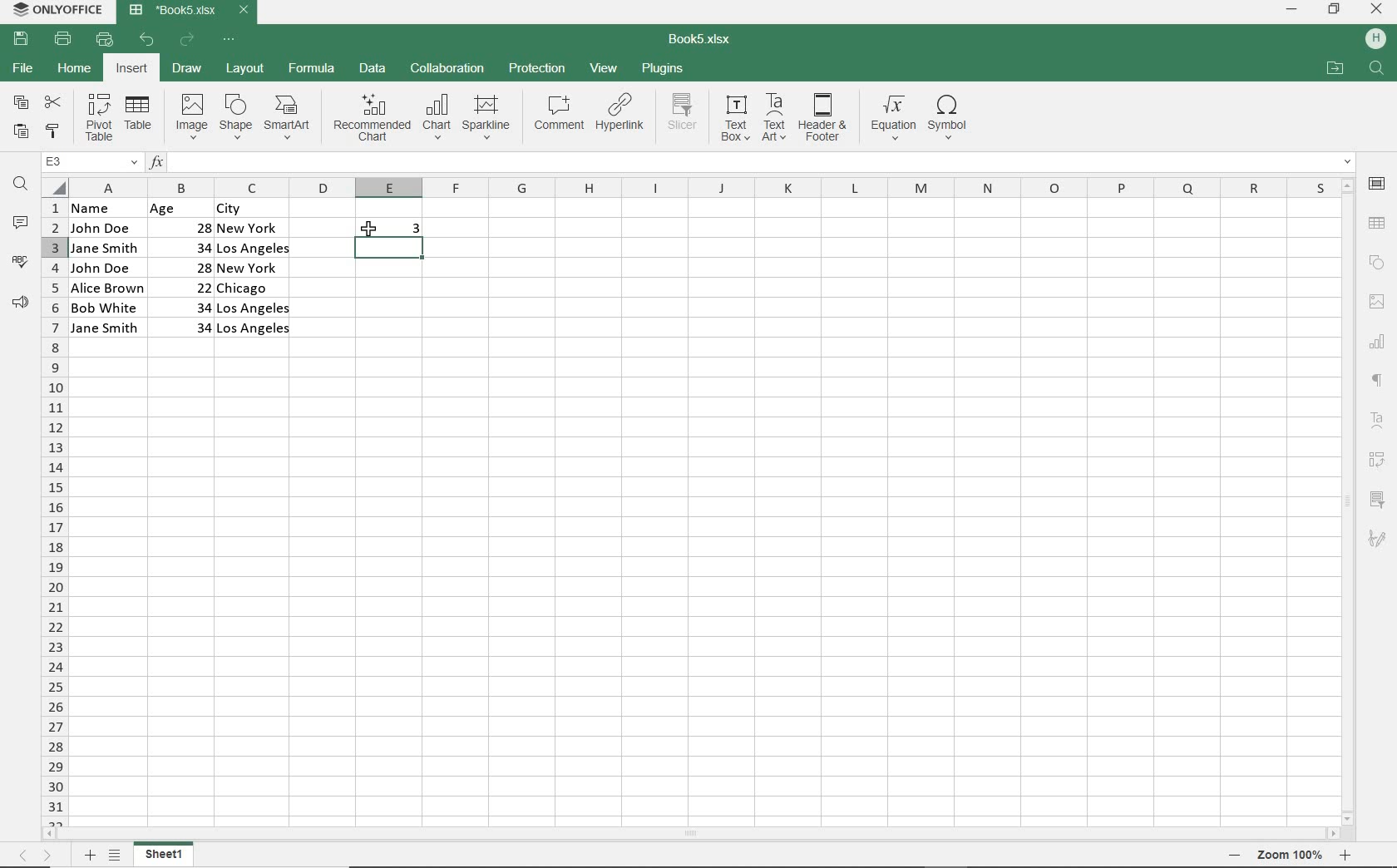 The image size is (1397, 868). I want to click on PROTECTION, so click(538, 69).